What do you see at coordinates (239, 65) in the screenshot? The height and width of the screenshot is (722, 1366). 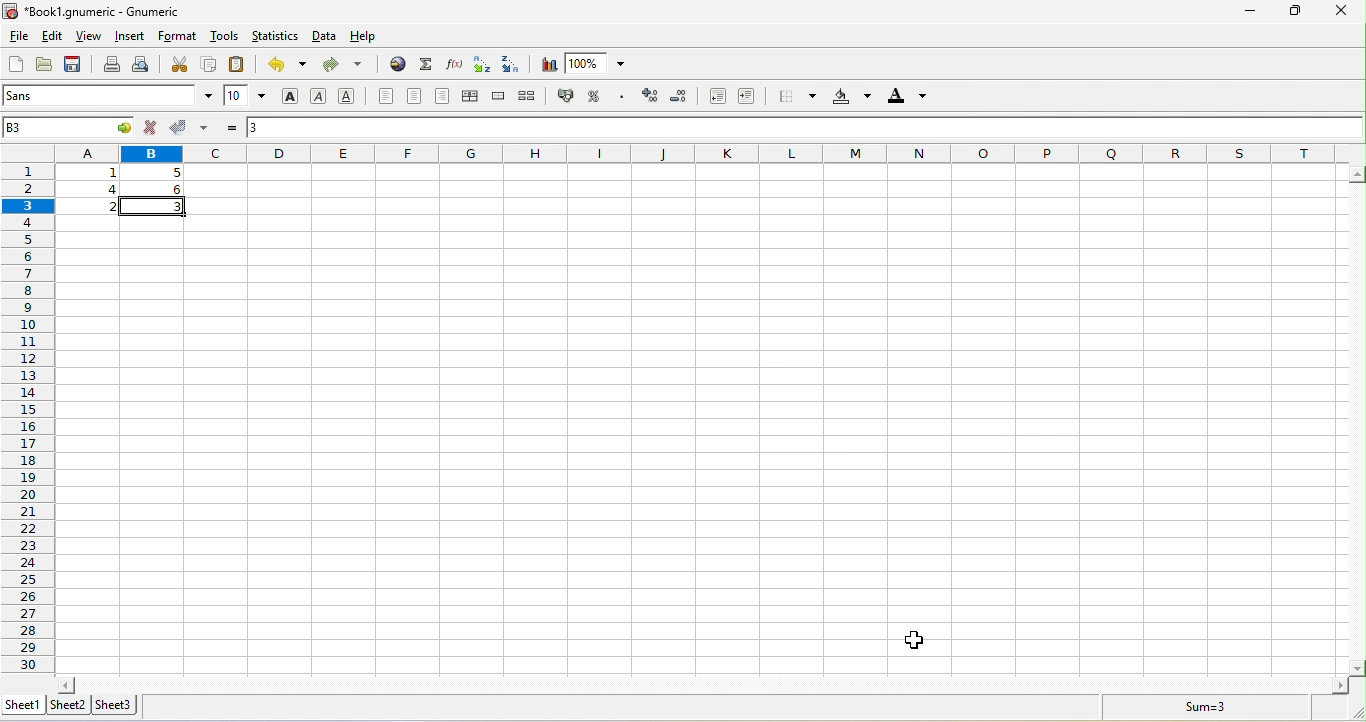 I see `paste` at bounding box center [239, 65].